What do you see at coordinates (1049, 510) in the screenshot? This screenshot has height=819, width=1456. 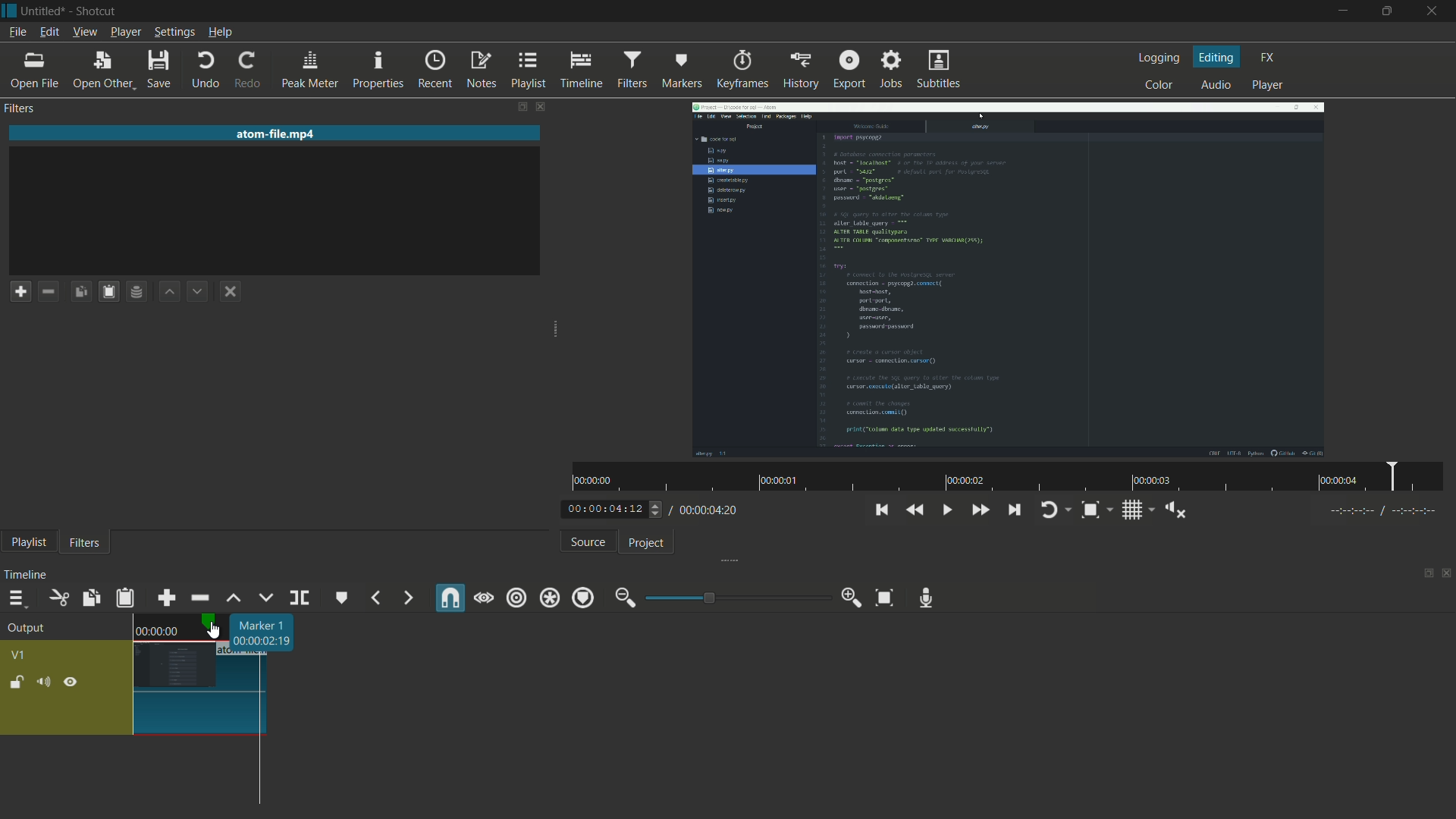 I see `toggle player logging` at bounding box center [1049, 510].